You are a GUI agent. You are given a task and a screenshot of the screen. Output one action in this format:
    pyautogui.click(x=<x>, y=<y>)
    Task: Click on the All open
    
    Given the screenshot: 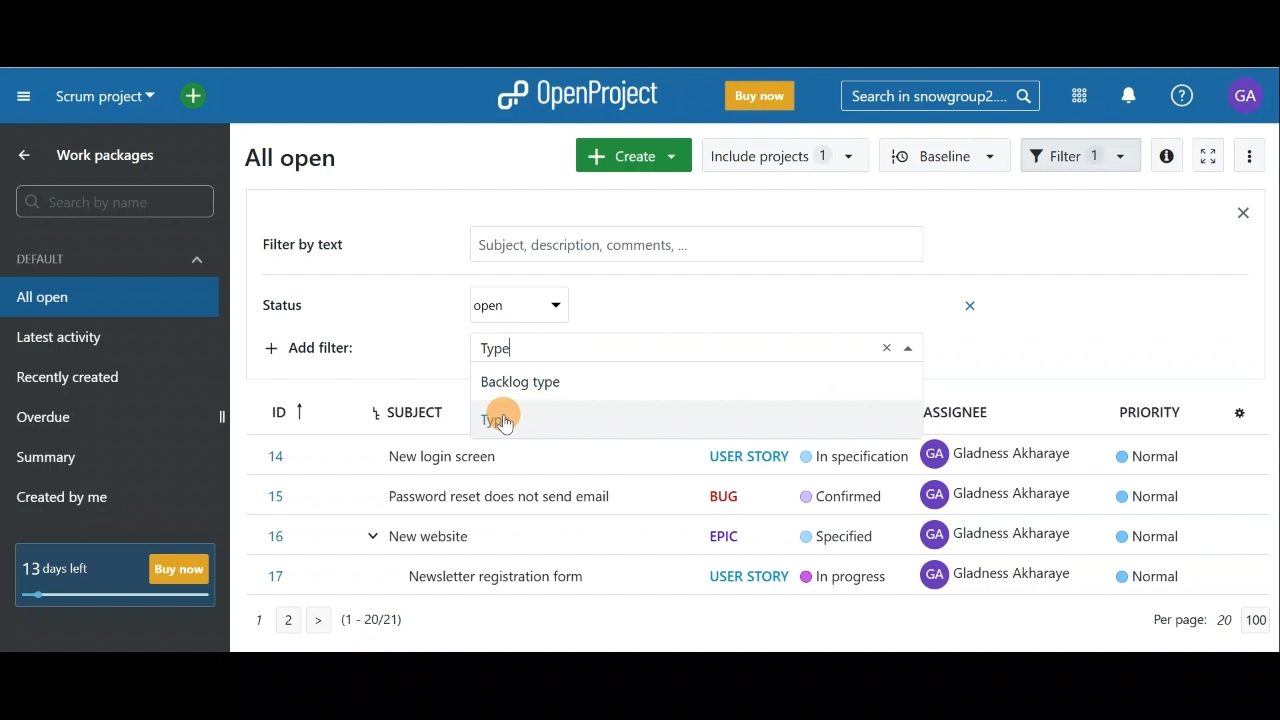 What is the action you would take?
    pyautogui.click(x=108, y=298)
    